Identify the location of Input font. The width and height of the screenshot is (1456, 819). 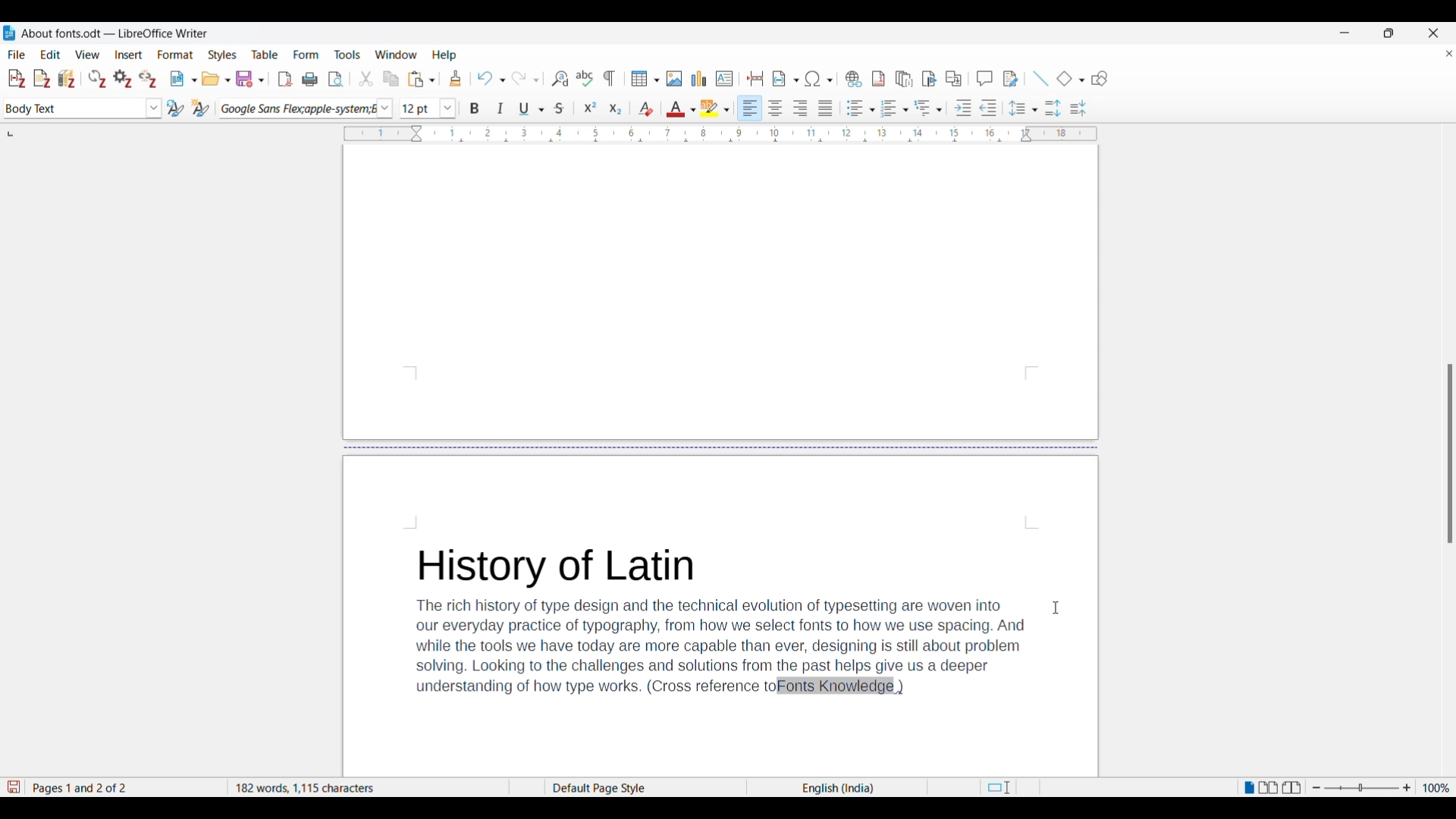
(419, 108).